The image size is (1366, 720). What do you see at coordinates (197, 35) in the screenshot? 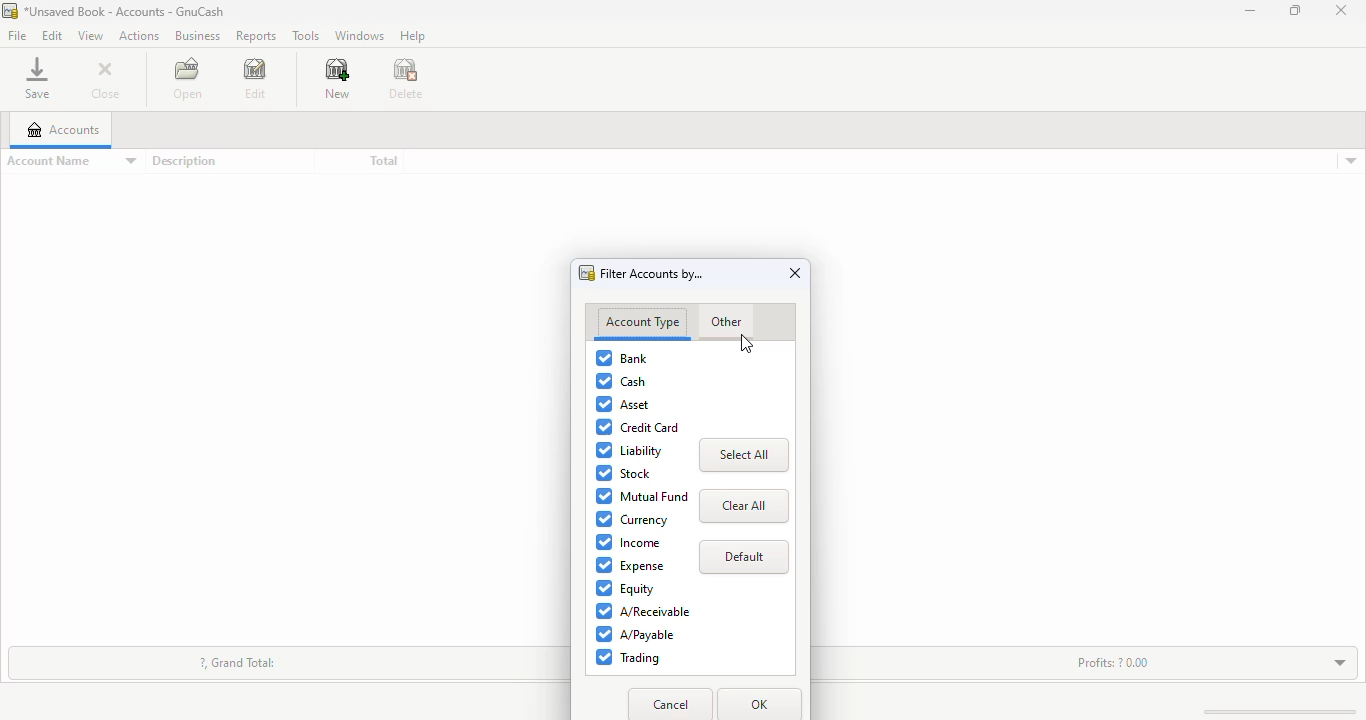
I see `business` at bounding box center [197, 35].